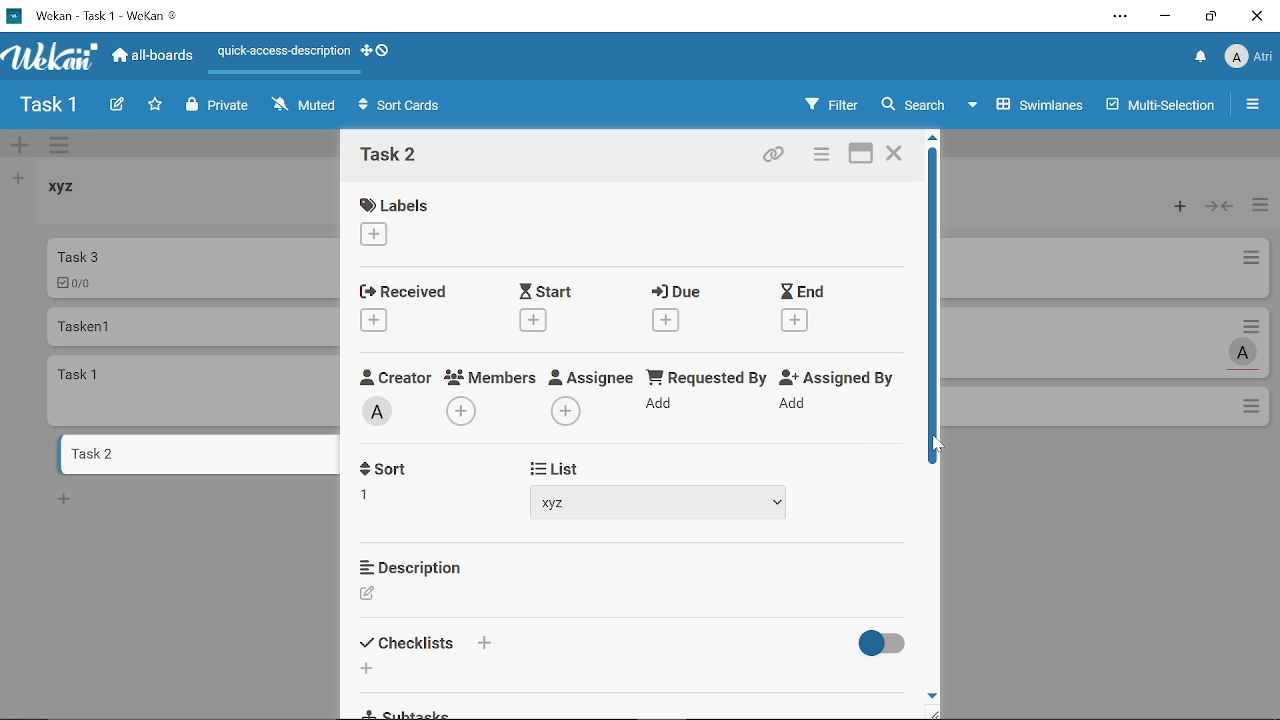 The height and width of the screenshot is (720, 1280). Describe the element at coordinates (305, 104) in the screenshot. I see `Muted` at that location.